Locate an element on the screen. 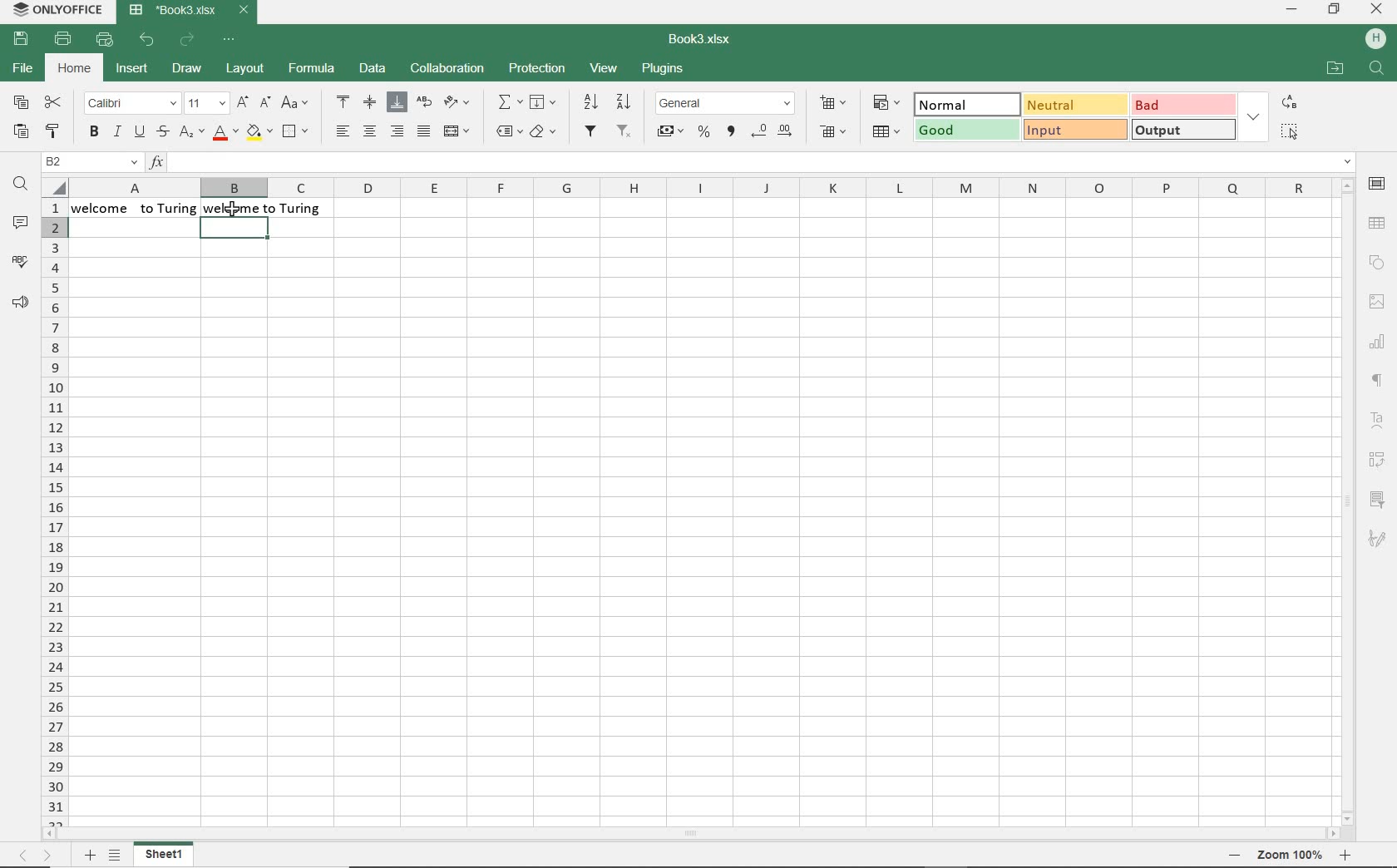  pivot table is located at coordinates (1380, 461).